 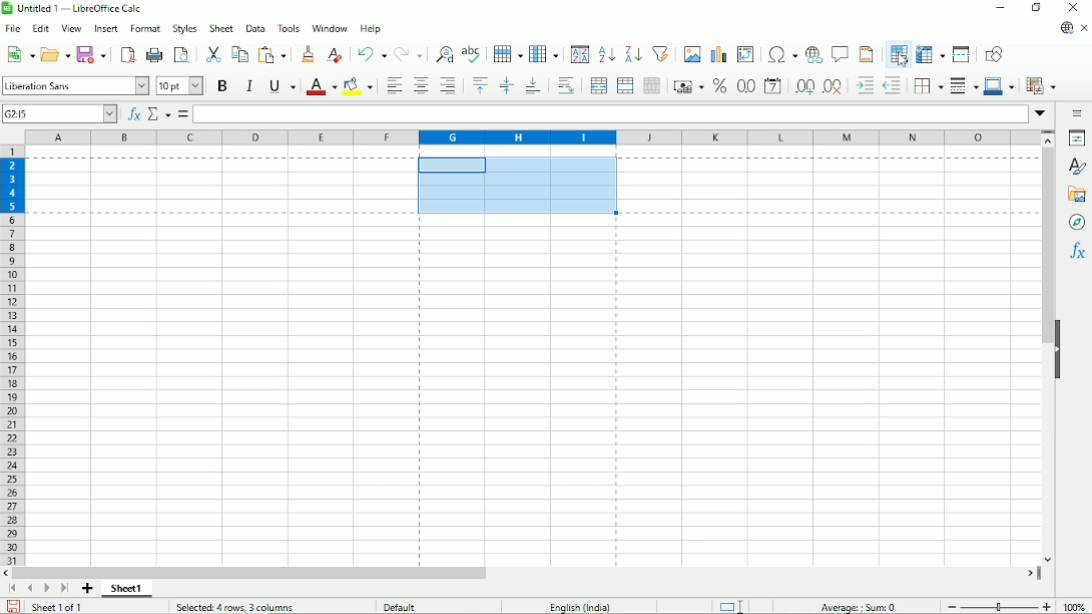 I want to click on Headers and footers, so click(x=866, y=53).